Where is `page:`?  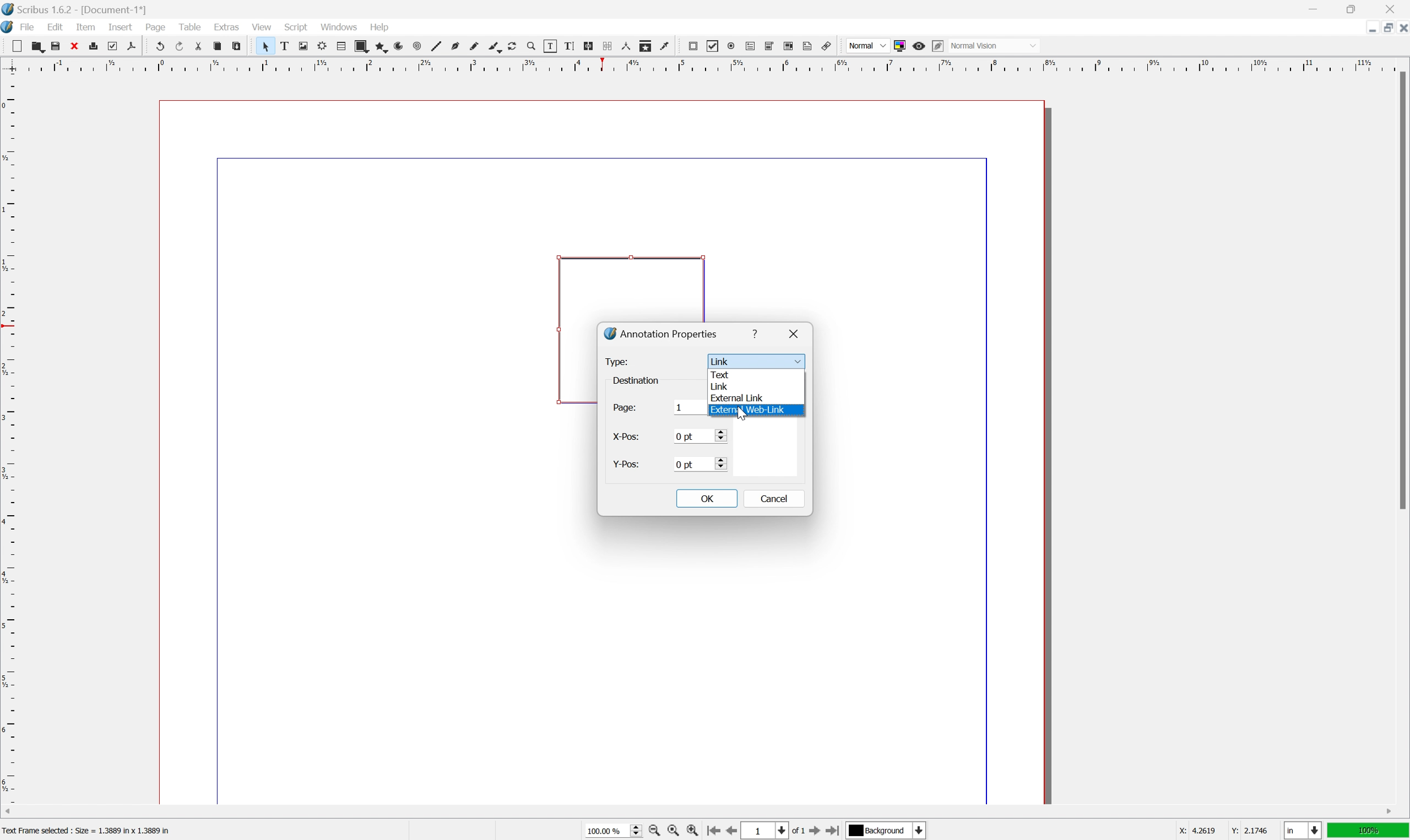
page: is located at coordinates (625, 410).